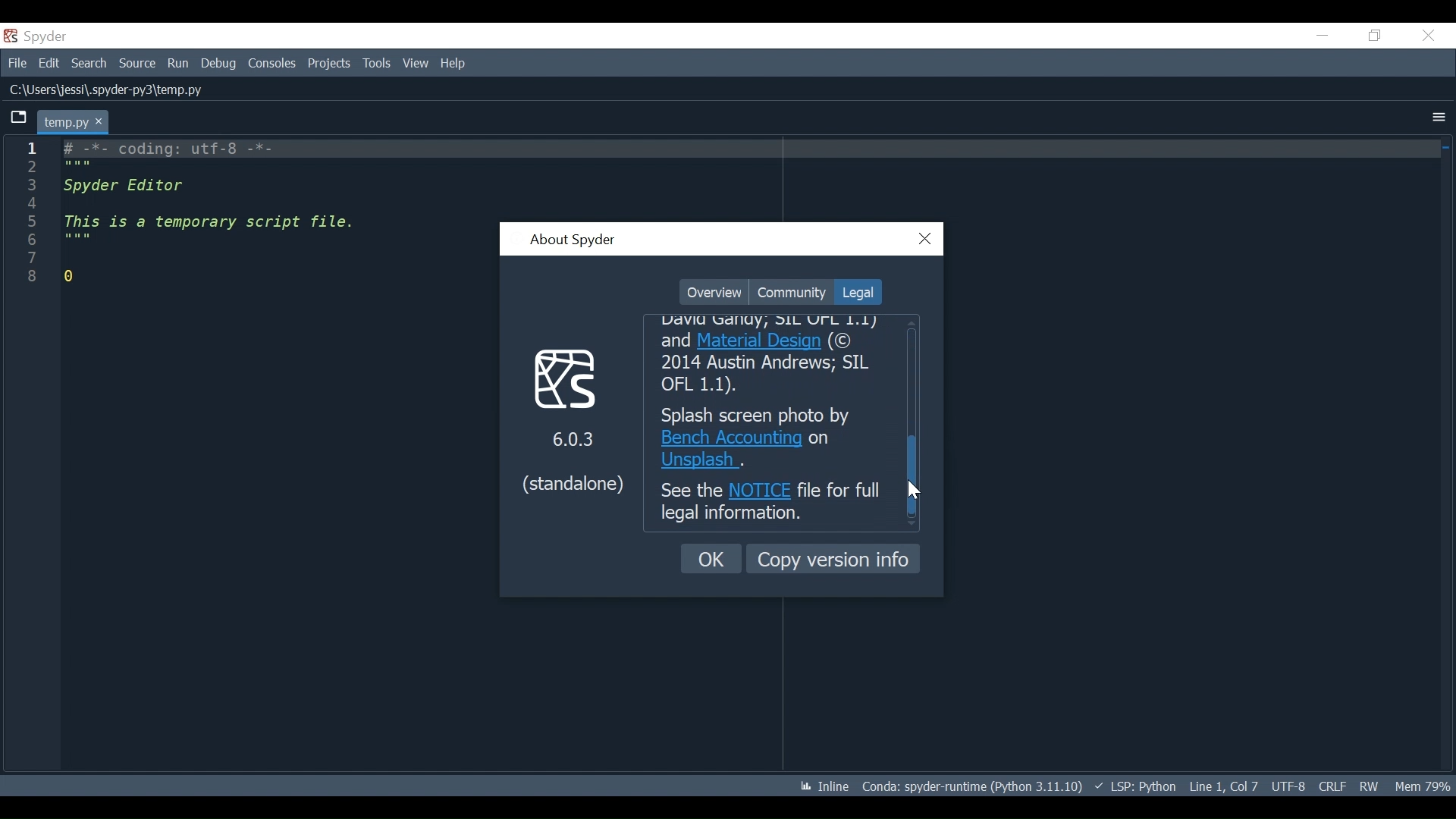  I want to click on ‘Mem 80%, so click(1426, 786).